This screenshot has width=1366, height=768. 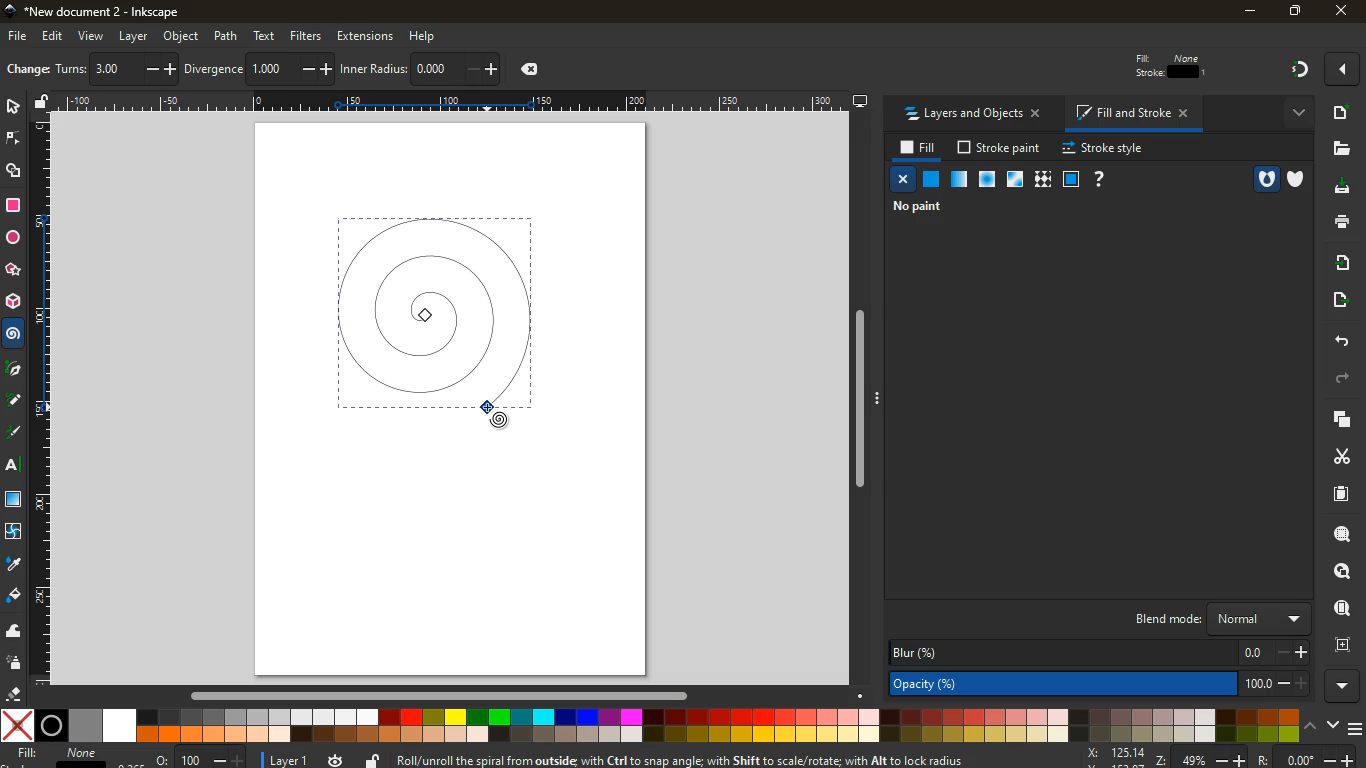 What do you see at coordinates (1344, 189) in the screenshot?
I see `download` at bounding box center [1344, 189].